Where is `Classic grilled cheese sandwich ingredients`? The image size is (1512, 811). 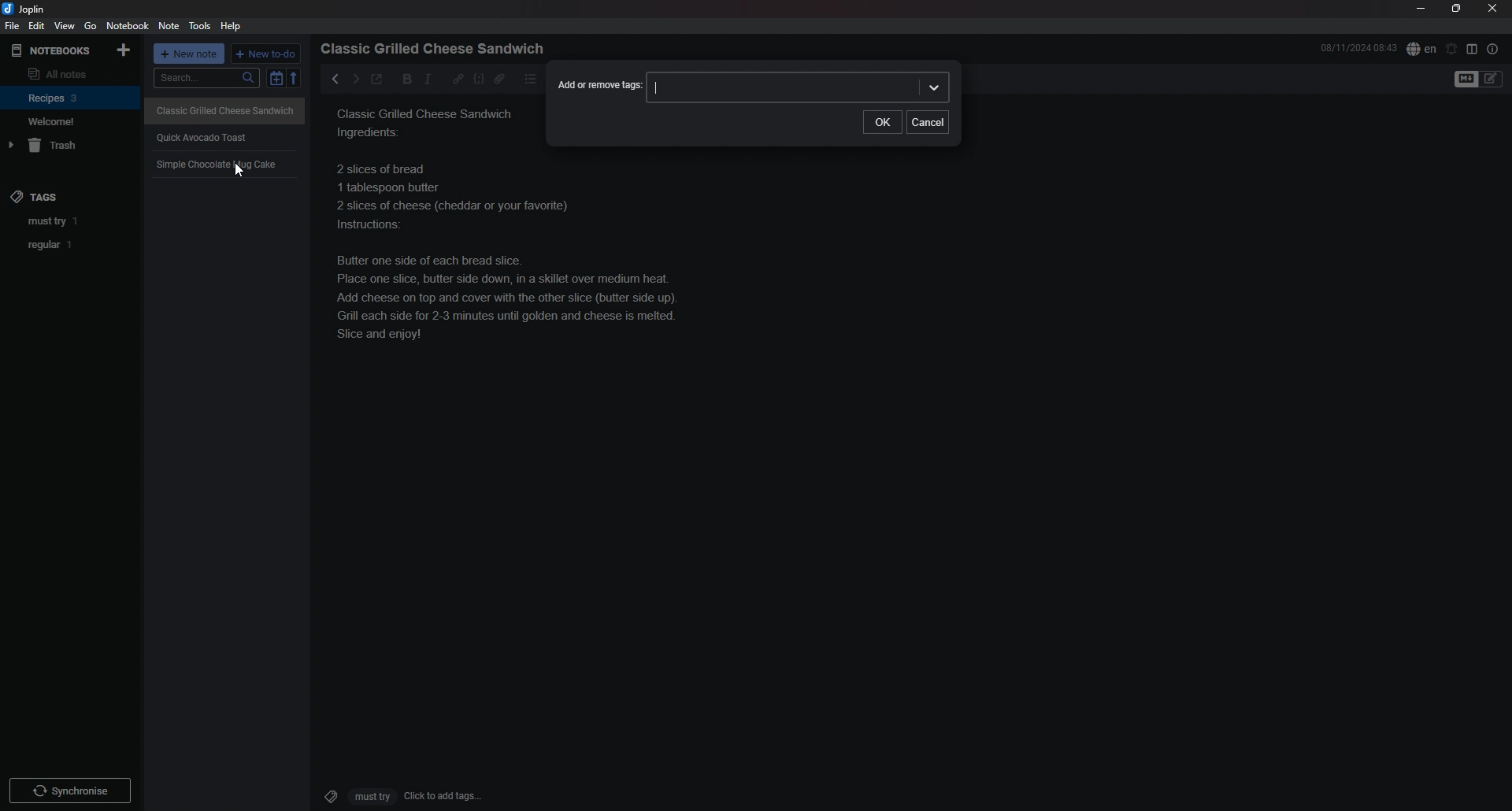
Classic grilled cheese sandwich ingredients is located at coordinates (524, 250).